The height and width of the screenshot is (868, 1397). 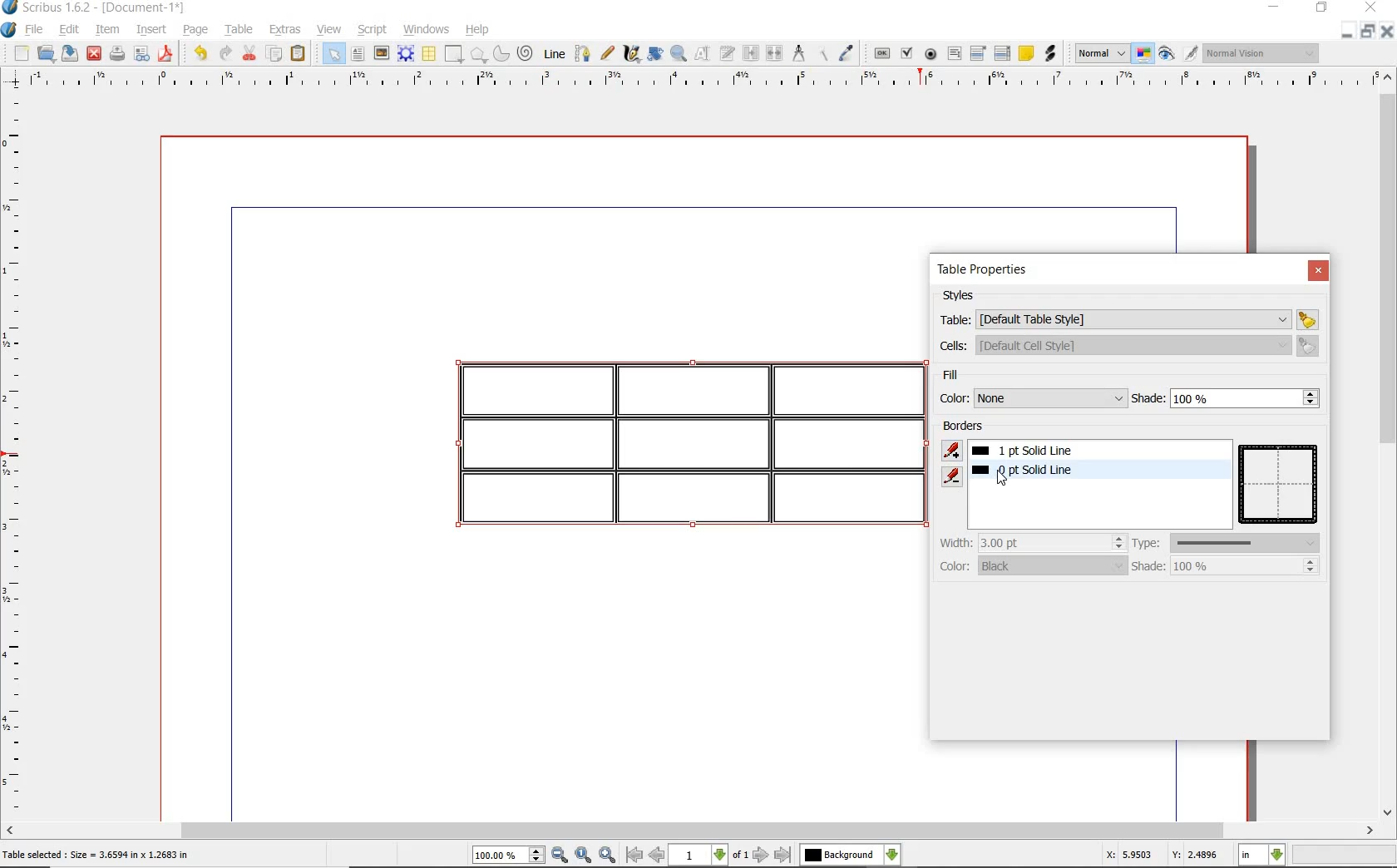 I want to click on item, so click(x=106, y=31).